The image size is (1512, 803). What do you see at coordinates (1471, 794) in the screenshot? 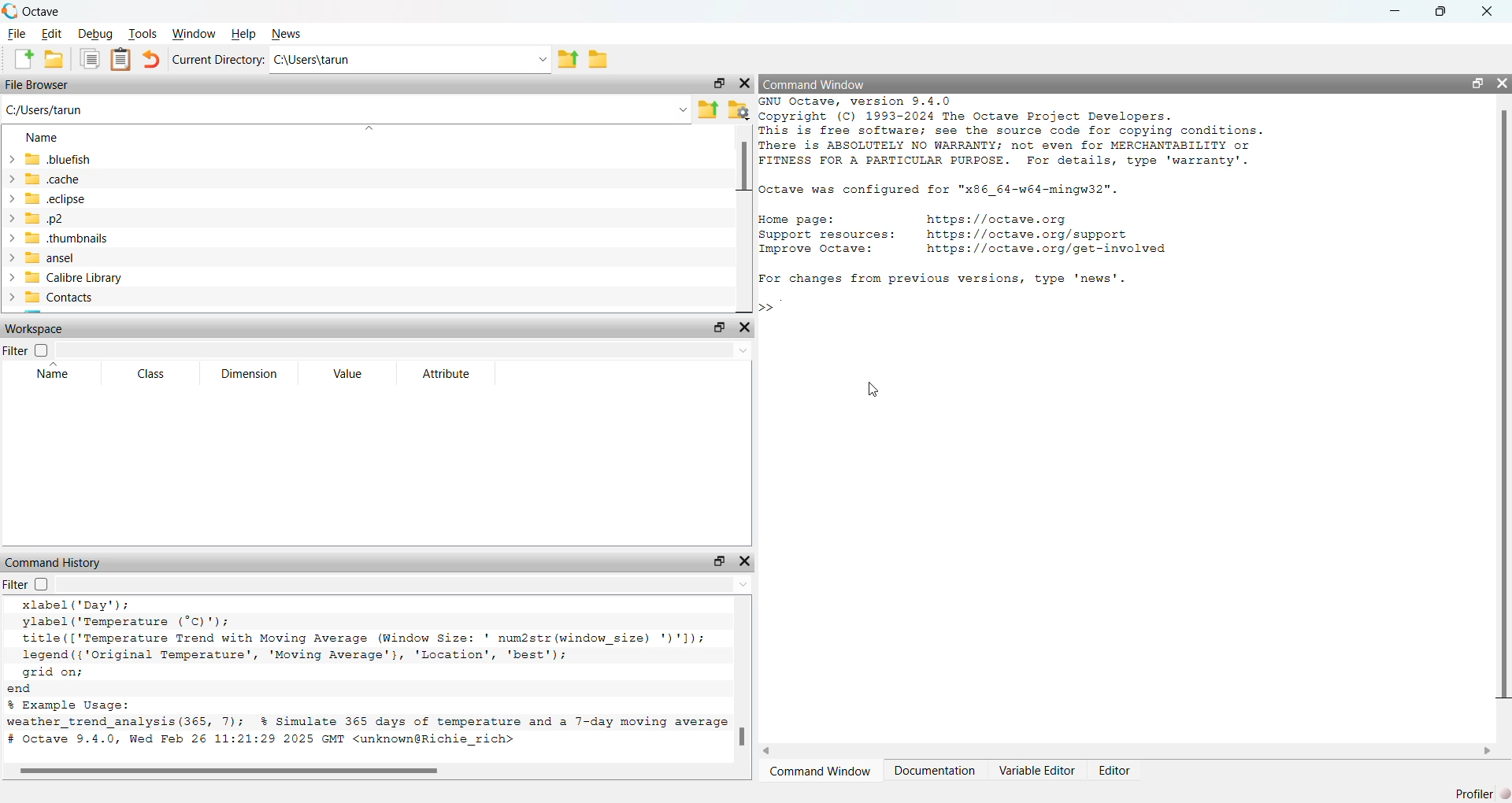
I see `Profiler` at bounding box center [1471, 794].